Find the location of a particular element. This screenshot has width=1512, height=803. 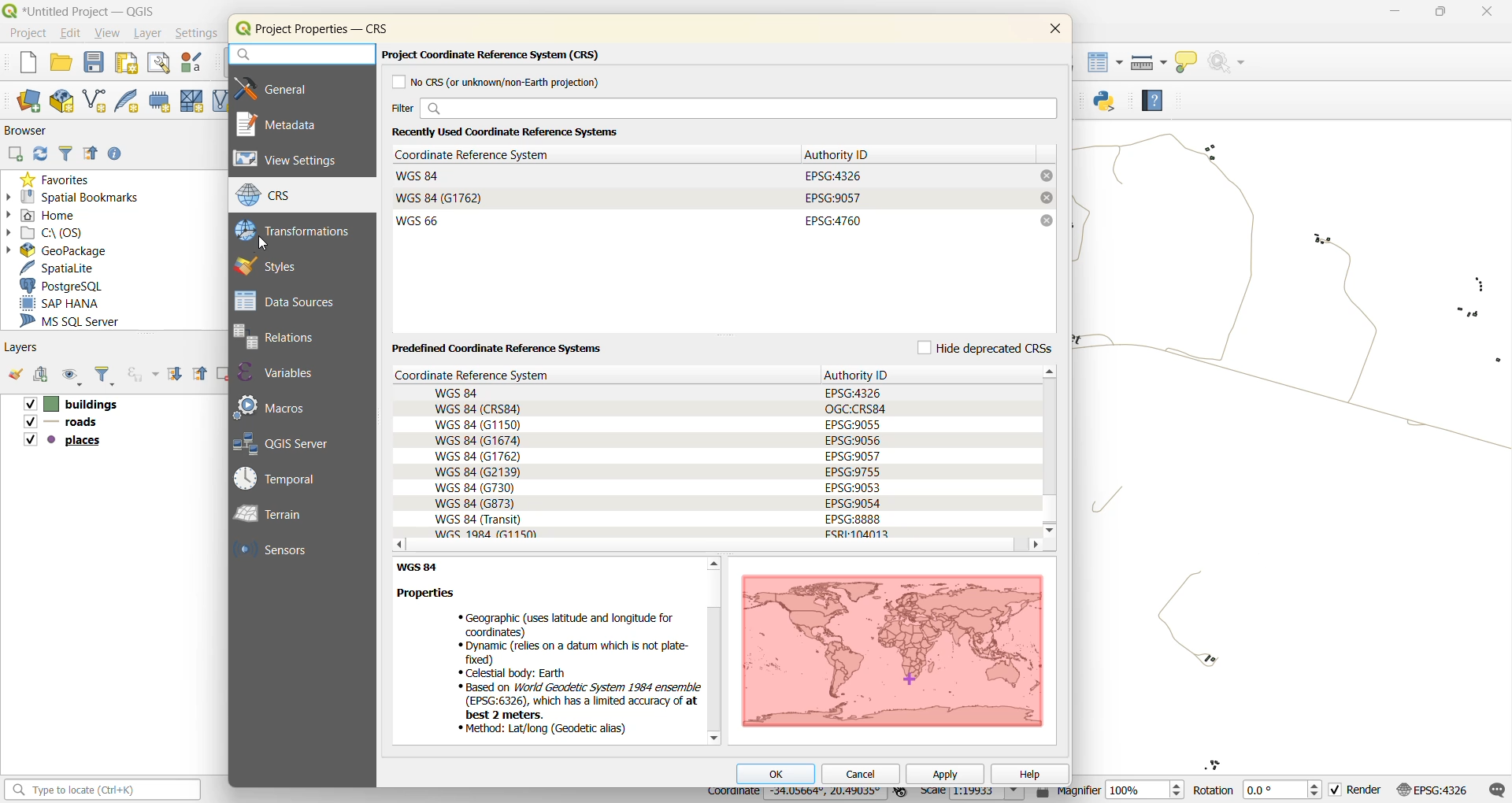

EPSG:9056 is located at coordinates (853, 440).